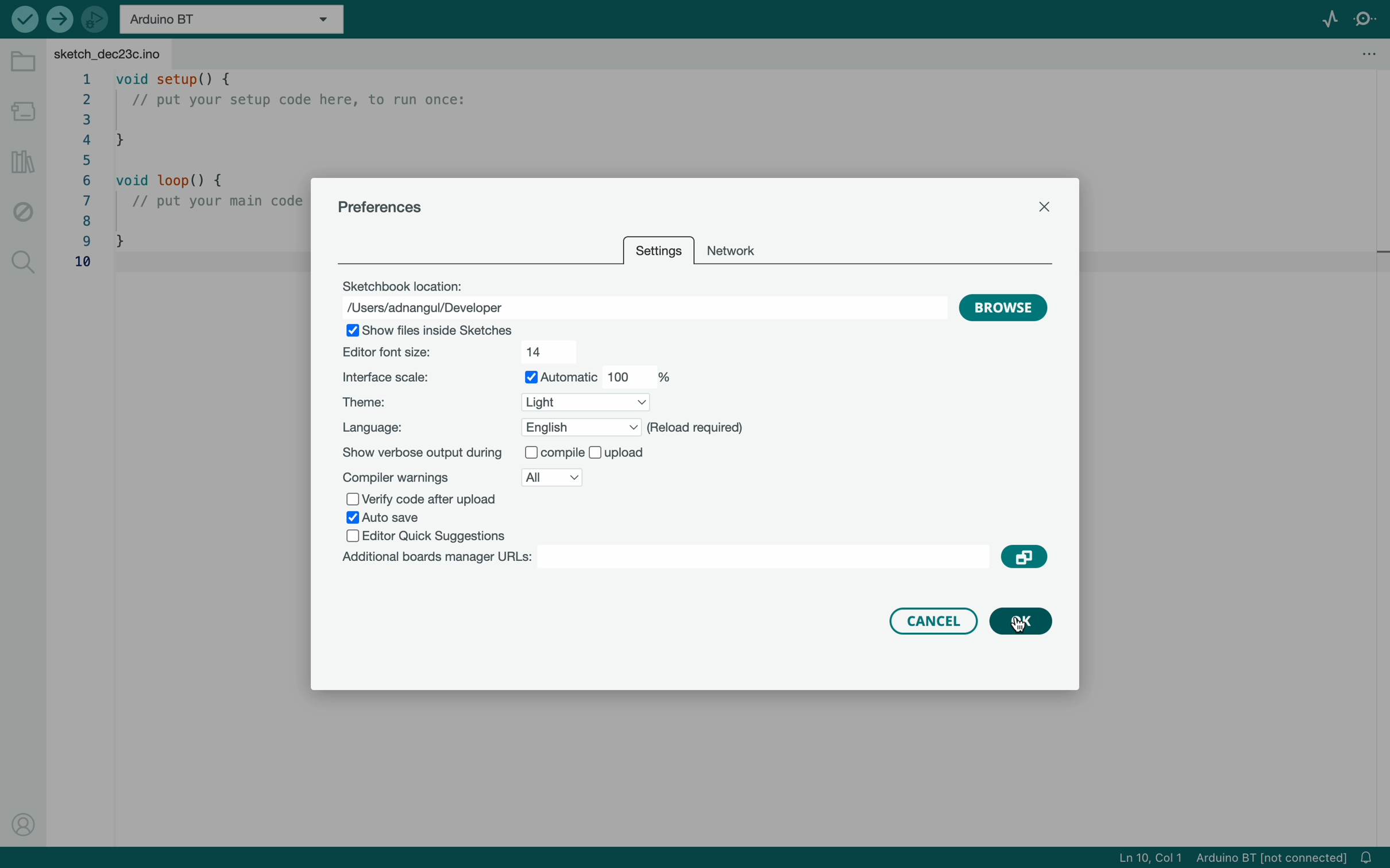  What do you see at coordinates (22, 263) in the screenshot?
I see `search` at bounding box center [22, 263].